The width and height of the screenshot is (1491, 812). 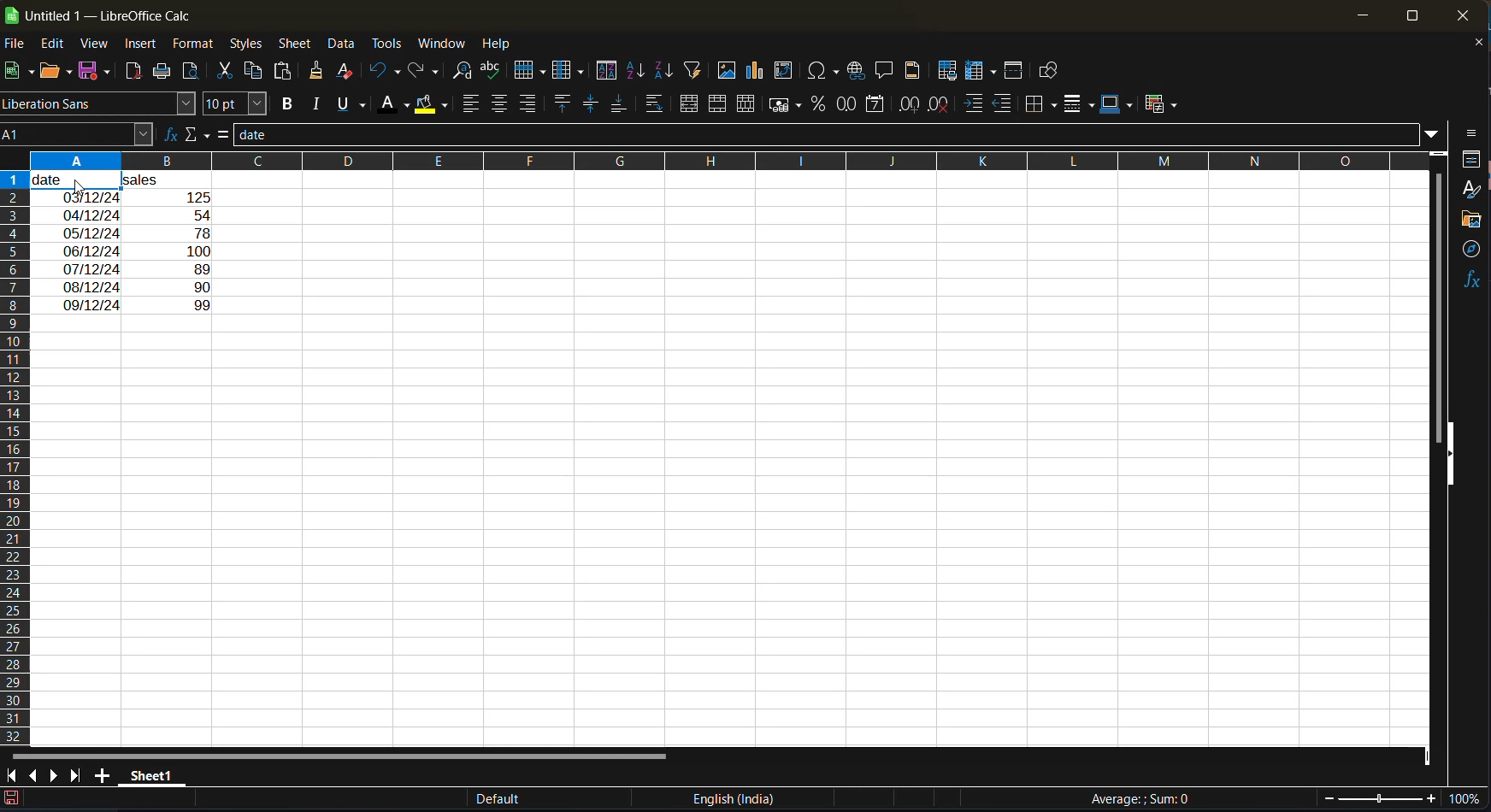 I want to click on copy, so click(x=256, y=74).